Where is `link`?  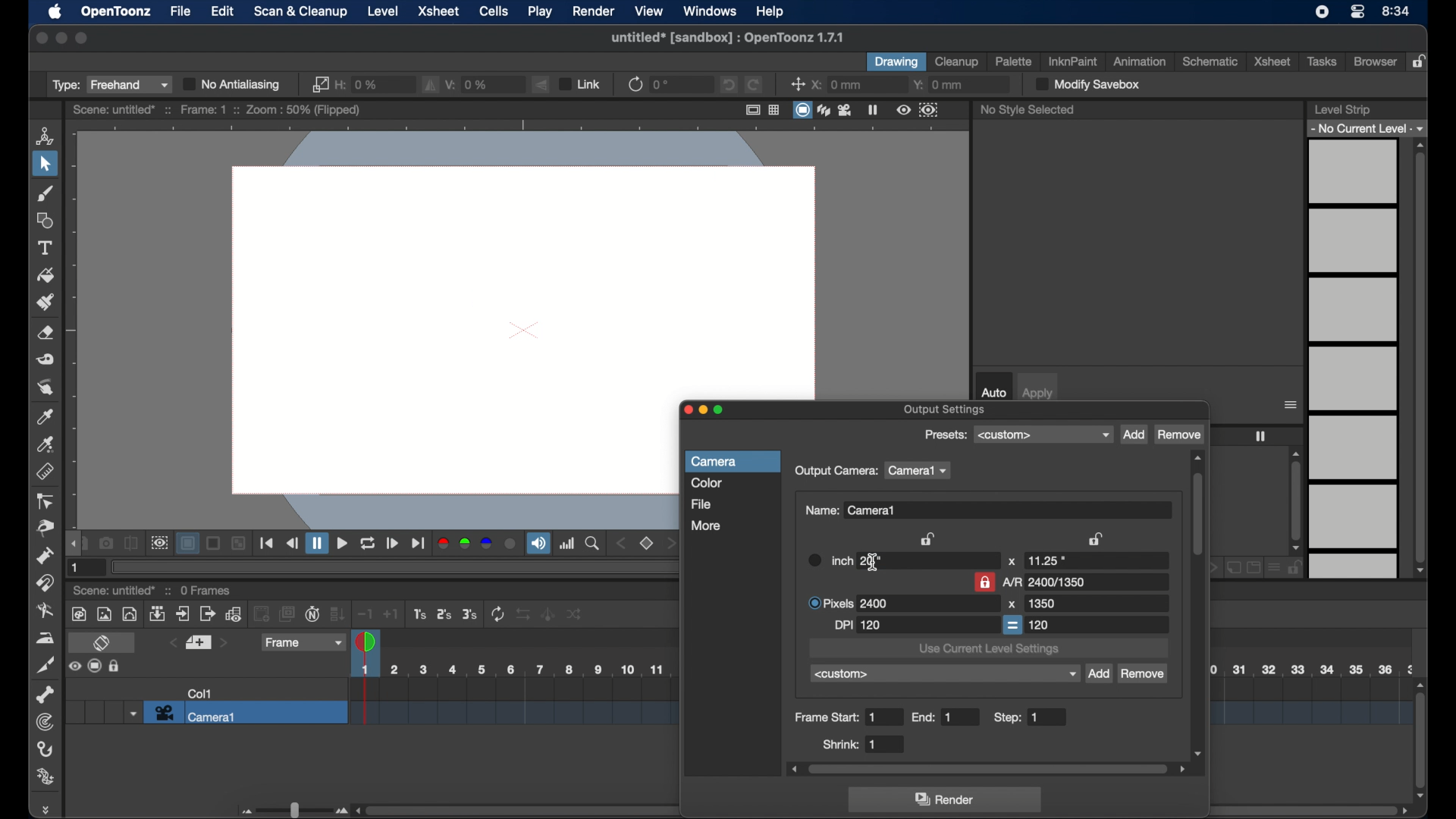
link is located at coordinates (579, 83).